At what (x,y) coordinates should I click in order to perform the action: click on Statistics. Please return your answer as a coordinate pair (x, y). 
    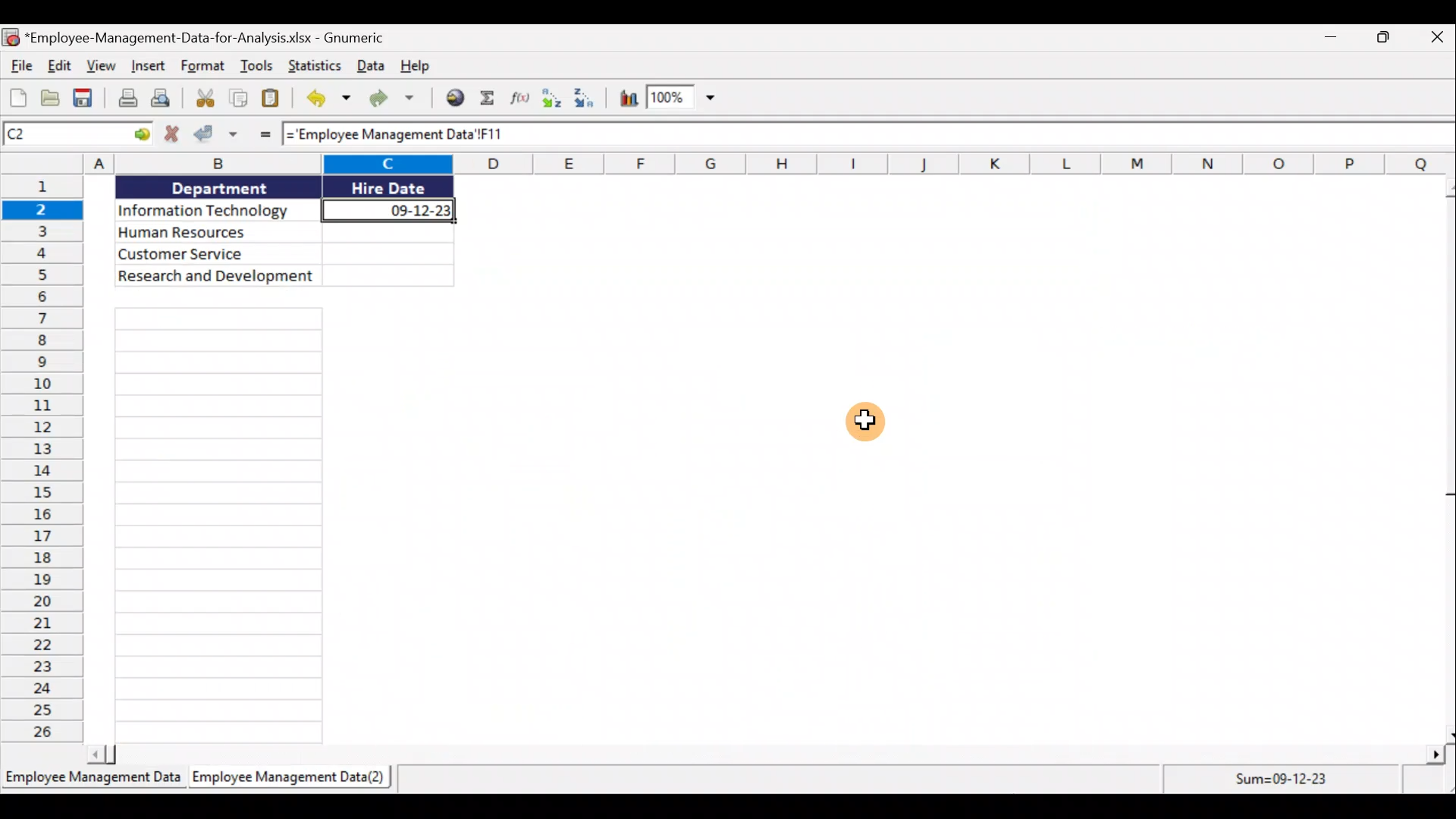
    Looking at the image, I should click on (313, 65).